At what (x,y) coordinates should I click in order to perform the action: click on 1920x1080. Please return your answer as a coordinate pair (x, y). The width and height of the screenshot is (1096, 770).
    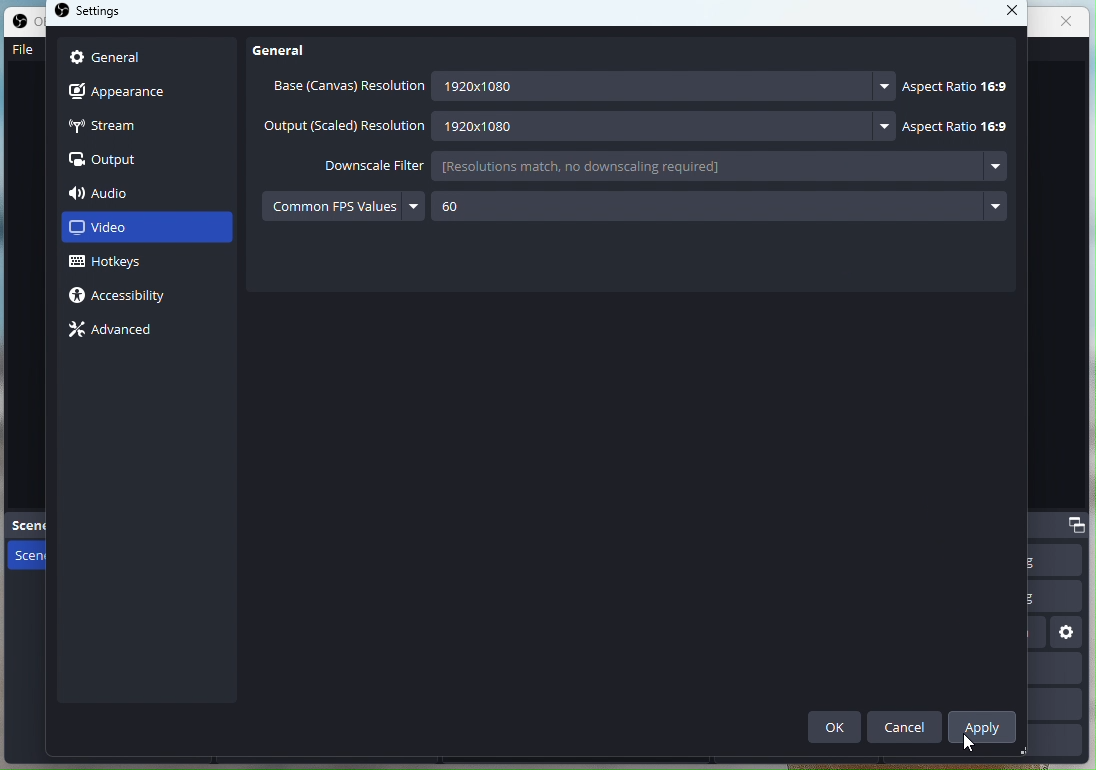
    Looking at the image, I should click on (651, 86).